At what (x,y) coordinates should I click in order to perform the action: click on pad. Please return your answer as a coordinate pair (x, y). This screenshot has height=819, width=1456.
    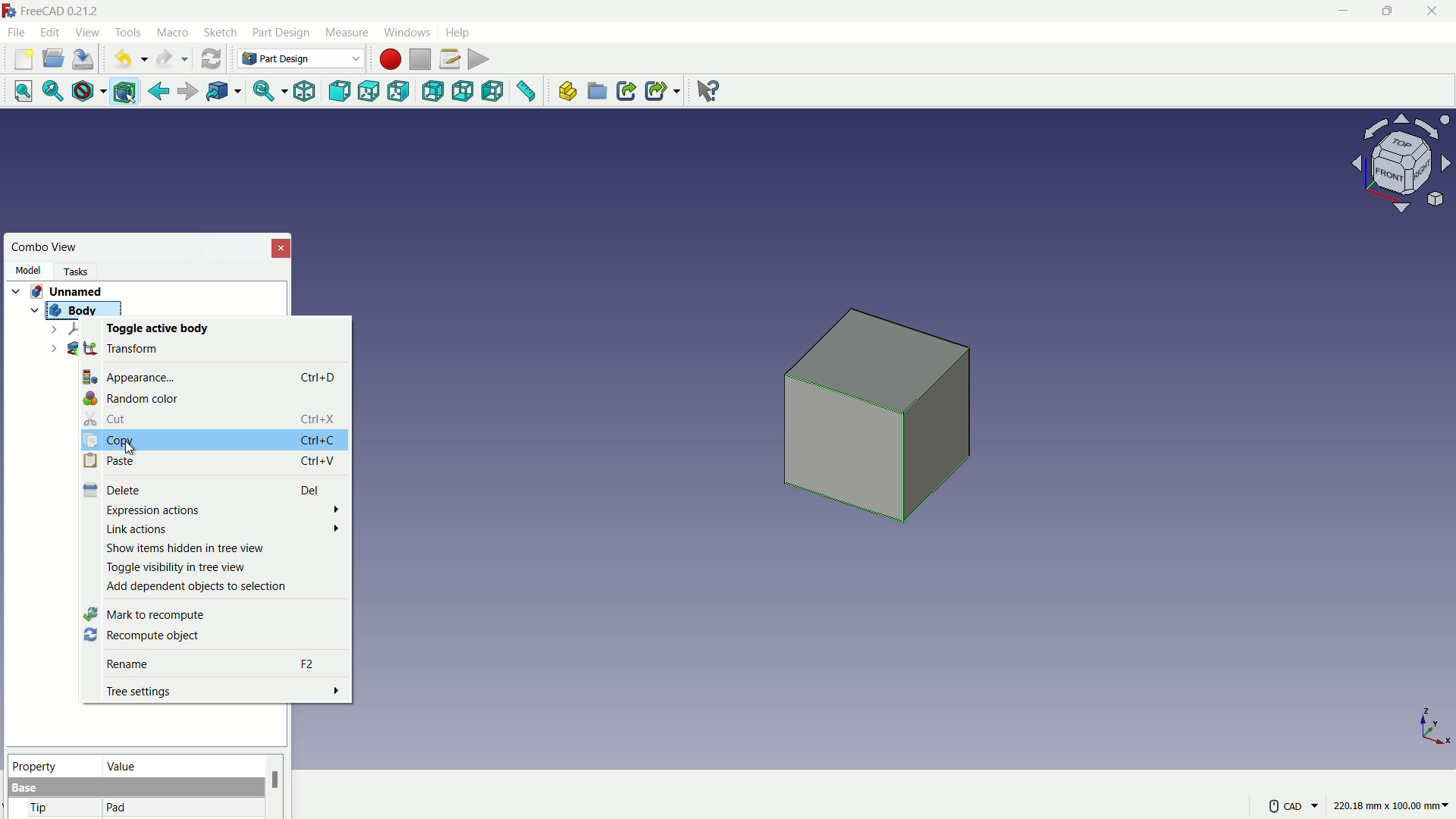
    Looking at the image, I should click on (117, 808).